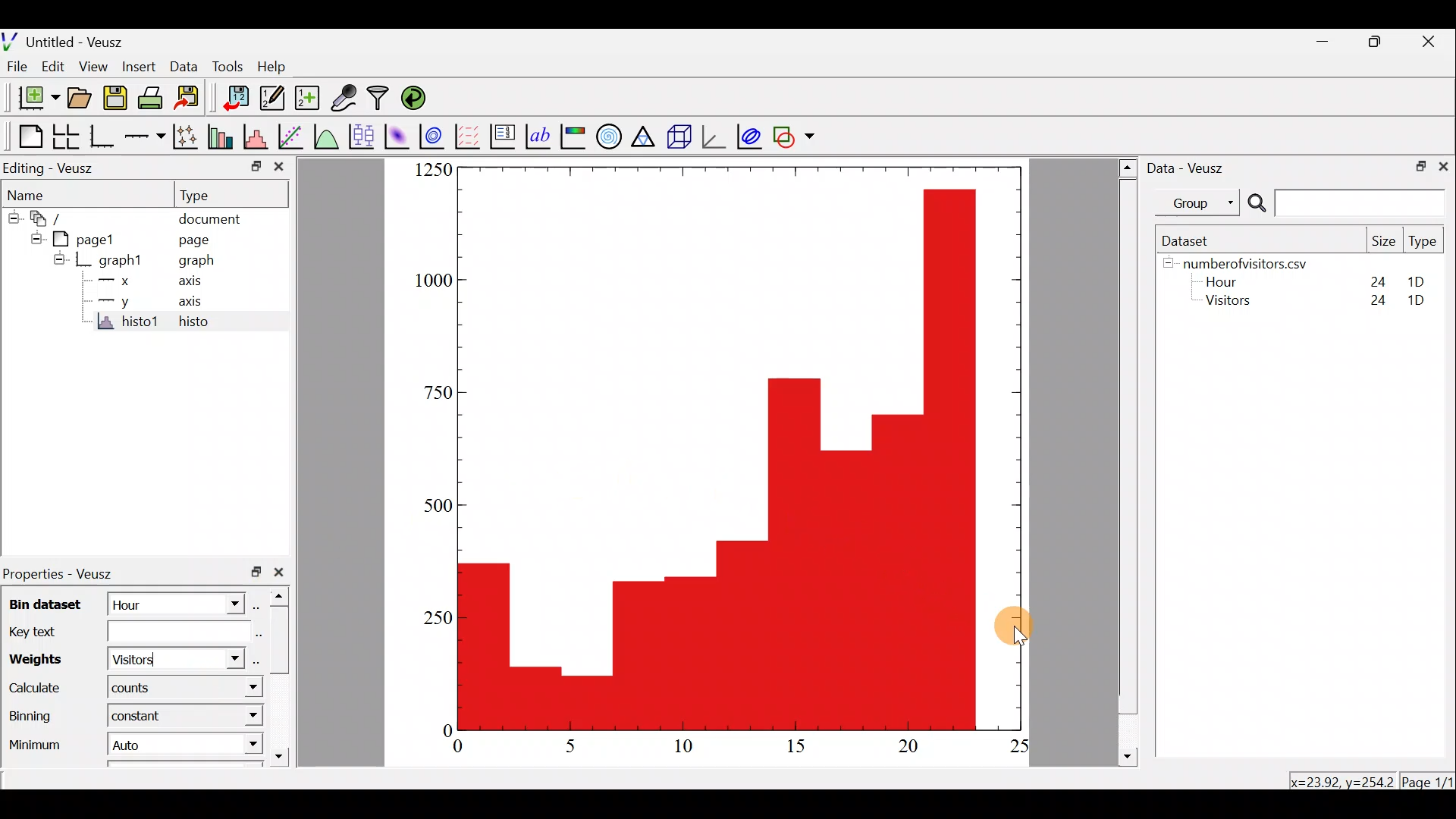 The image size is (1456, 819). What do you see at coordinates (36, 689) in the screenshot?
I see `Calculate` at bounding box center [36, 689].